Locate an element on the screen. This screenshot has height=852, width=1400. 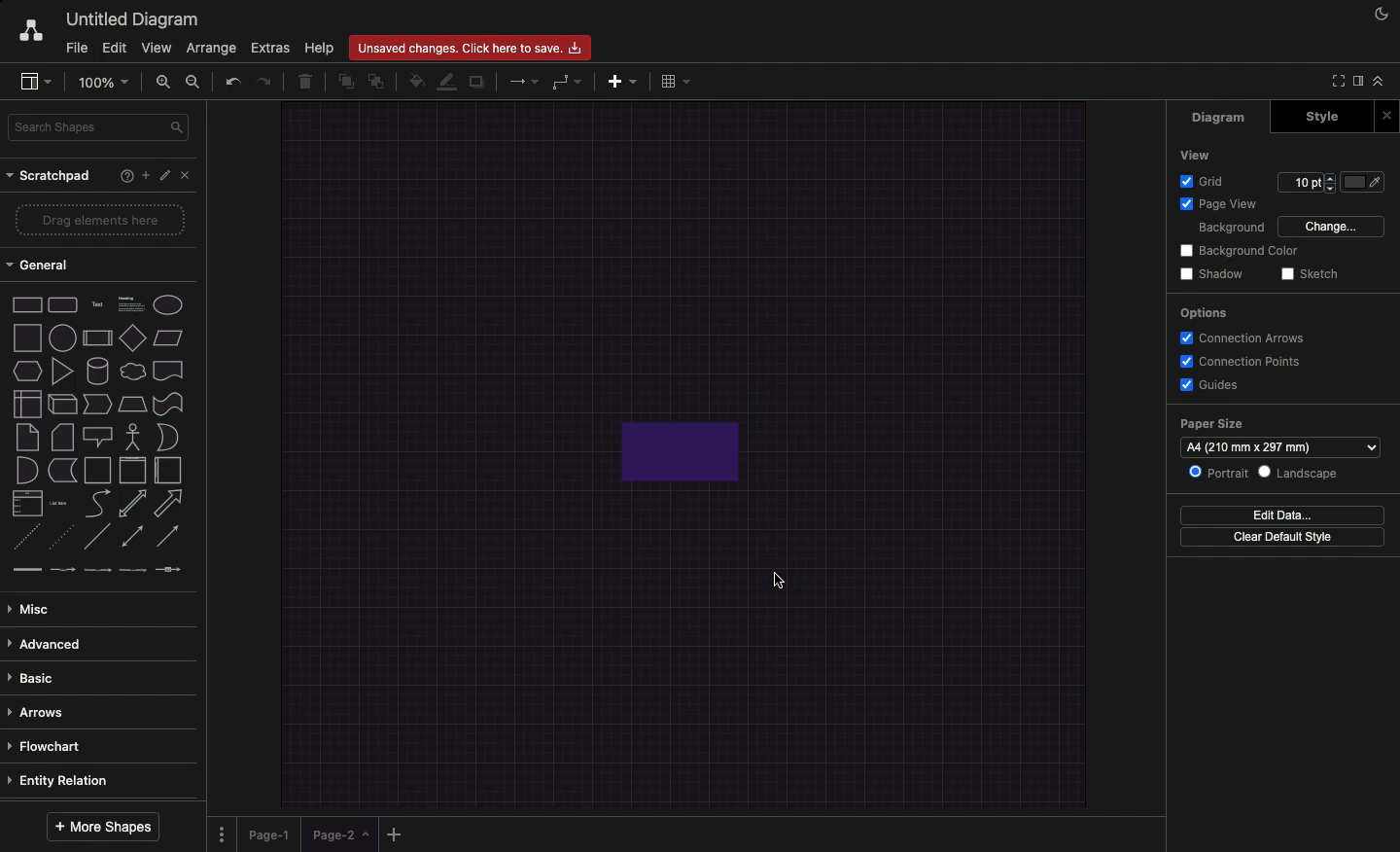
Redo is located at coordinates (266, 80).